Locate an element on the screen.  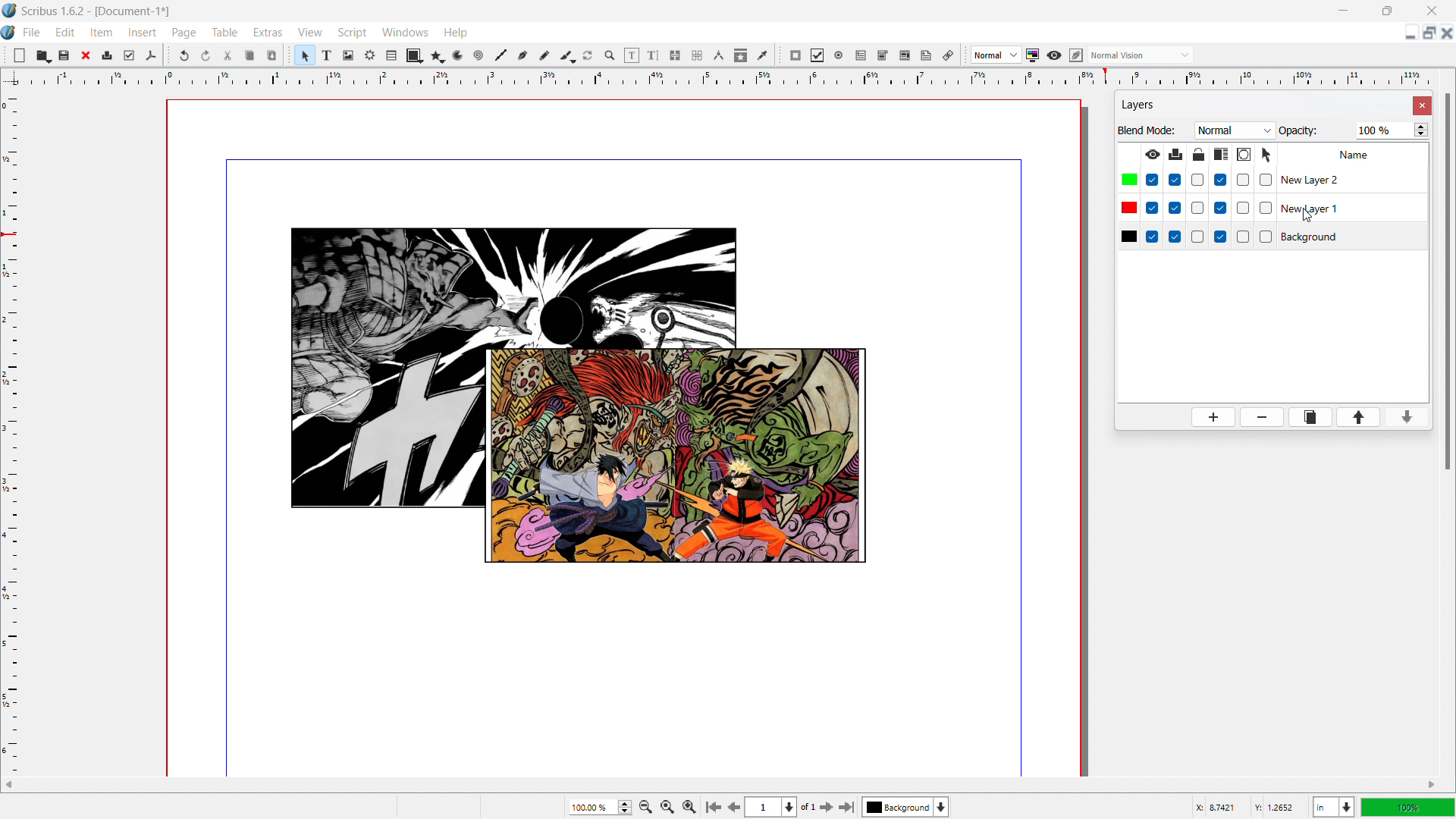
link text frames is located at coordinates (675, 55).